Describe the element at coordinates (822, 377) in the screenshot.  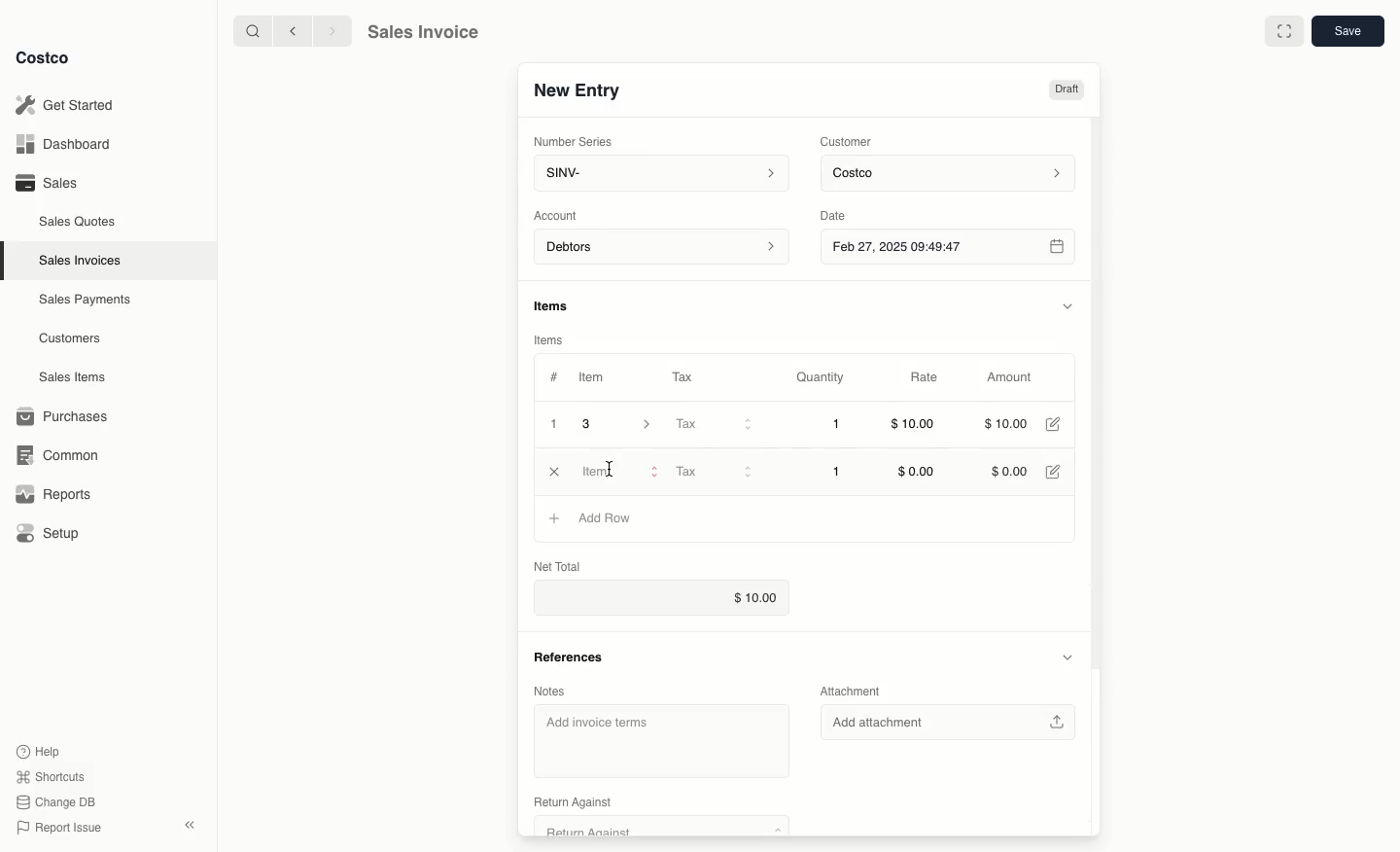
I see `Quantity` at that location.